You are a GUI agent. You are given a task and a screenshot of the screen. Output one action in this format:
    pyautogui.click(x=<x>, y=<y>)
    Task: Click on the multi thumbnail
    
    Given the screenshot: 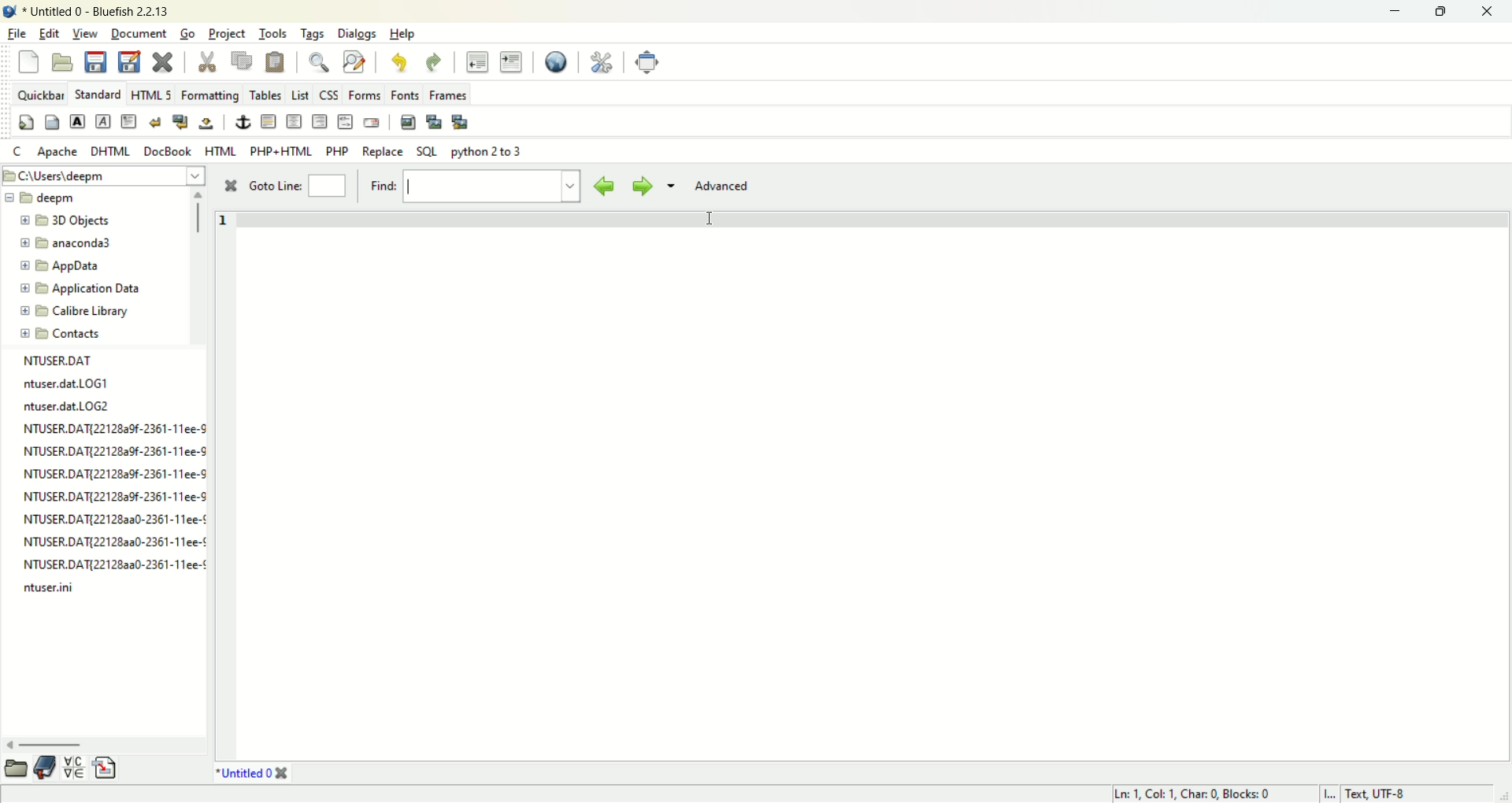 What is the action you would take?
    pyautogui.click(x=460, y=122)
    